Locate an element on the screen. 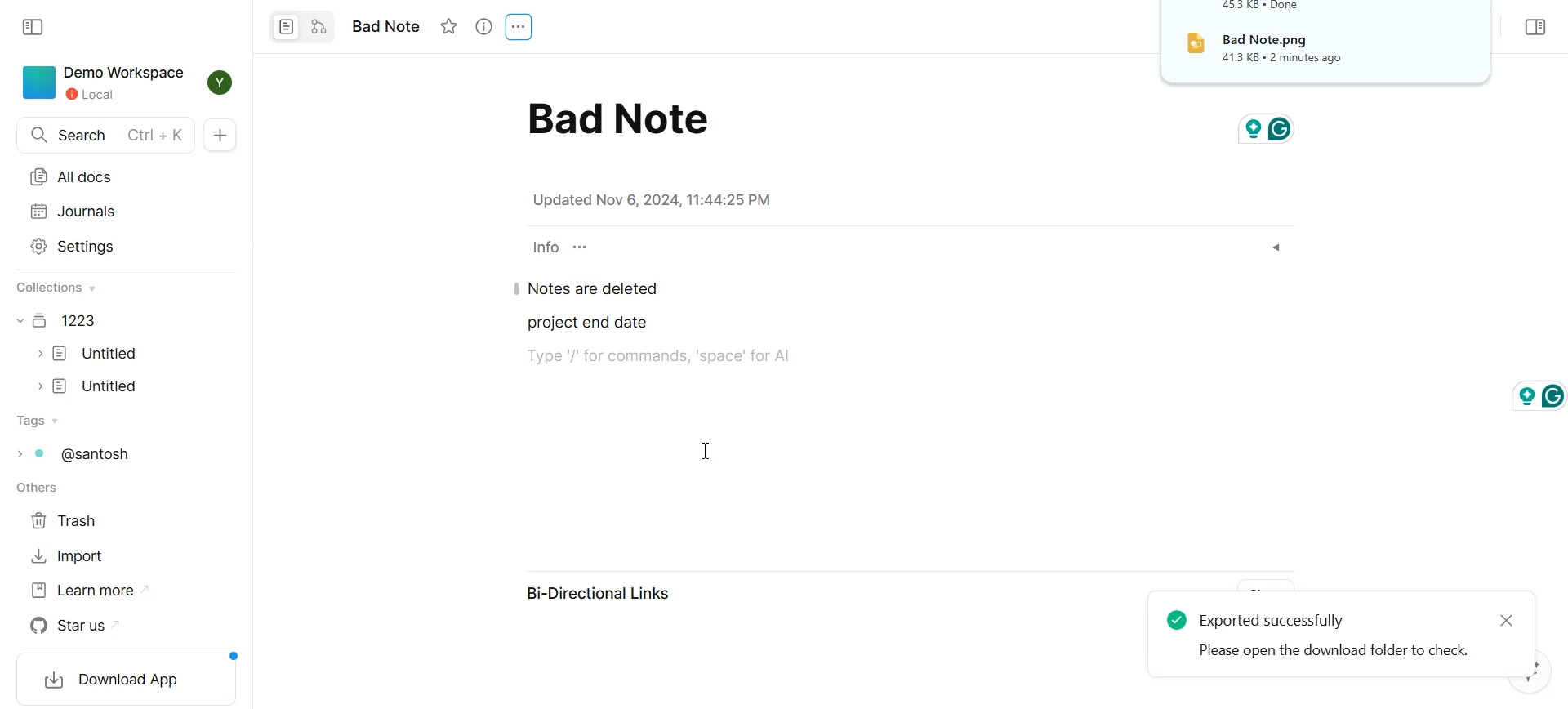  Tags  is located at coordinates (73, 453).